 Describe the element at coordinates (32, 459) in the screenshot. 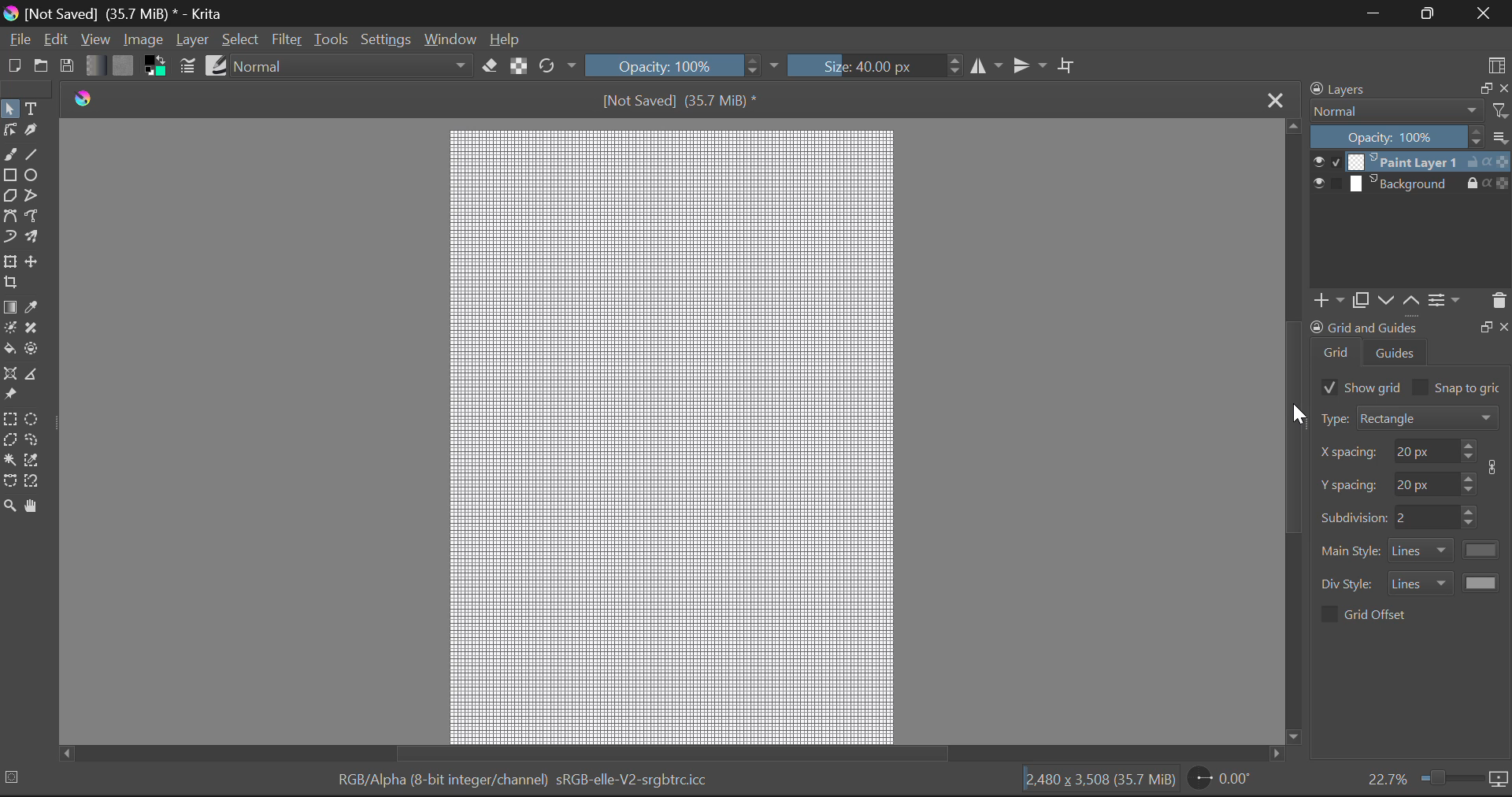

I see `Similar Color Selector` at that location.